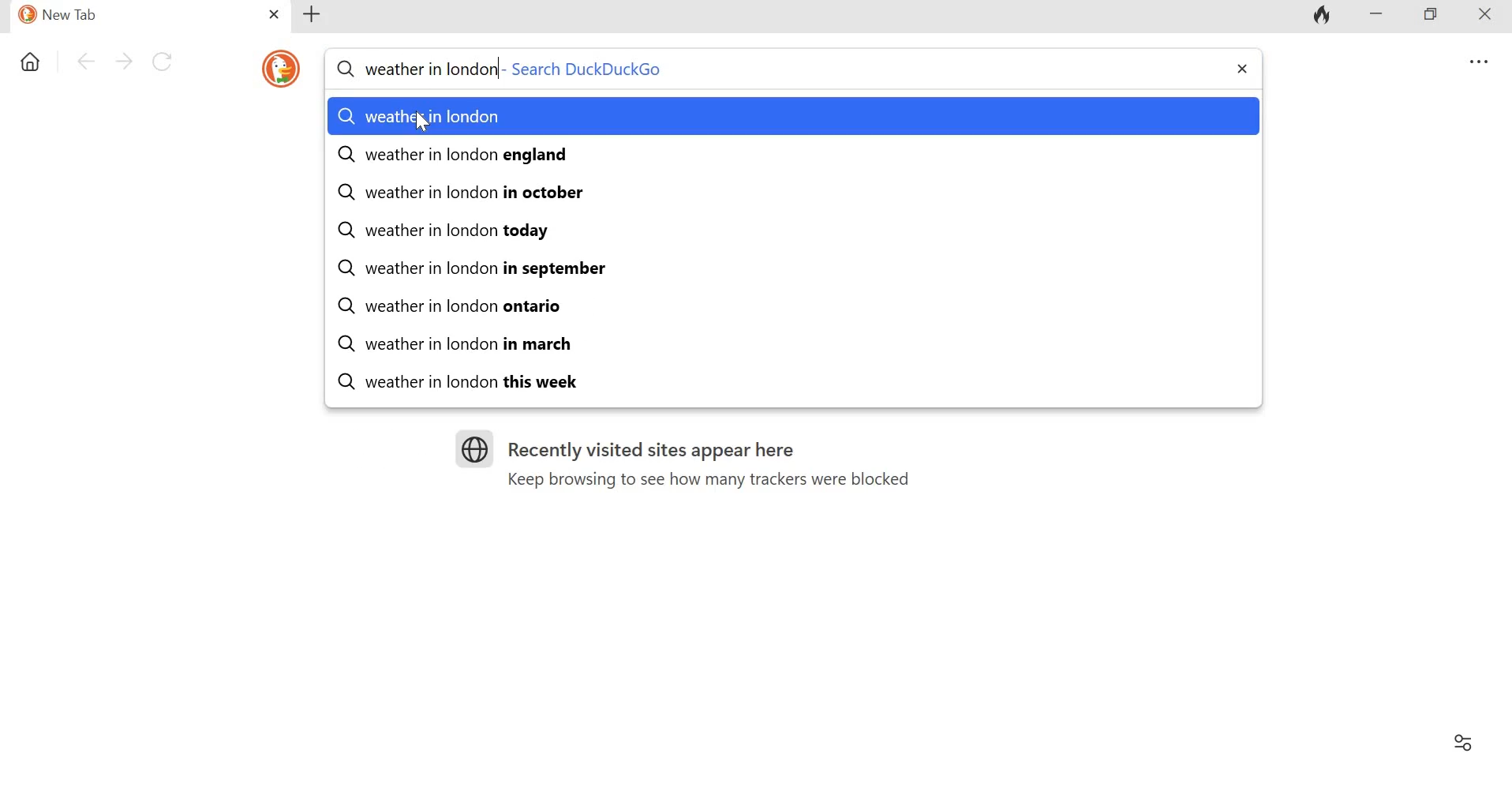  Describe the element at coordinates (867, 69) in the screenshot. I see `Search DuckDuckGo` at that location.